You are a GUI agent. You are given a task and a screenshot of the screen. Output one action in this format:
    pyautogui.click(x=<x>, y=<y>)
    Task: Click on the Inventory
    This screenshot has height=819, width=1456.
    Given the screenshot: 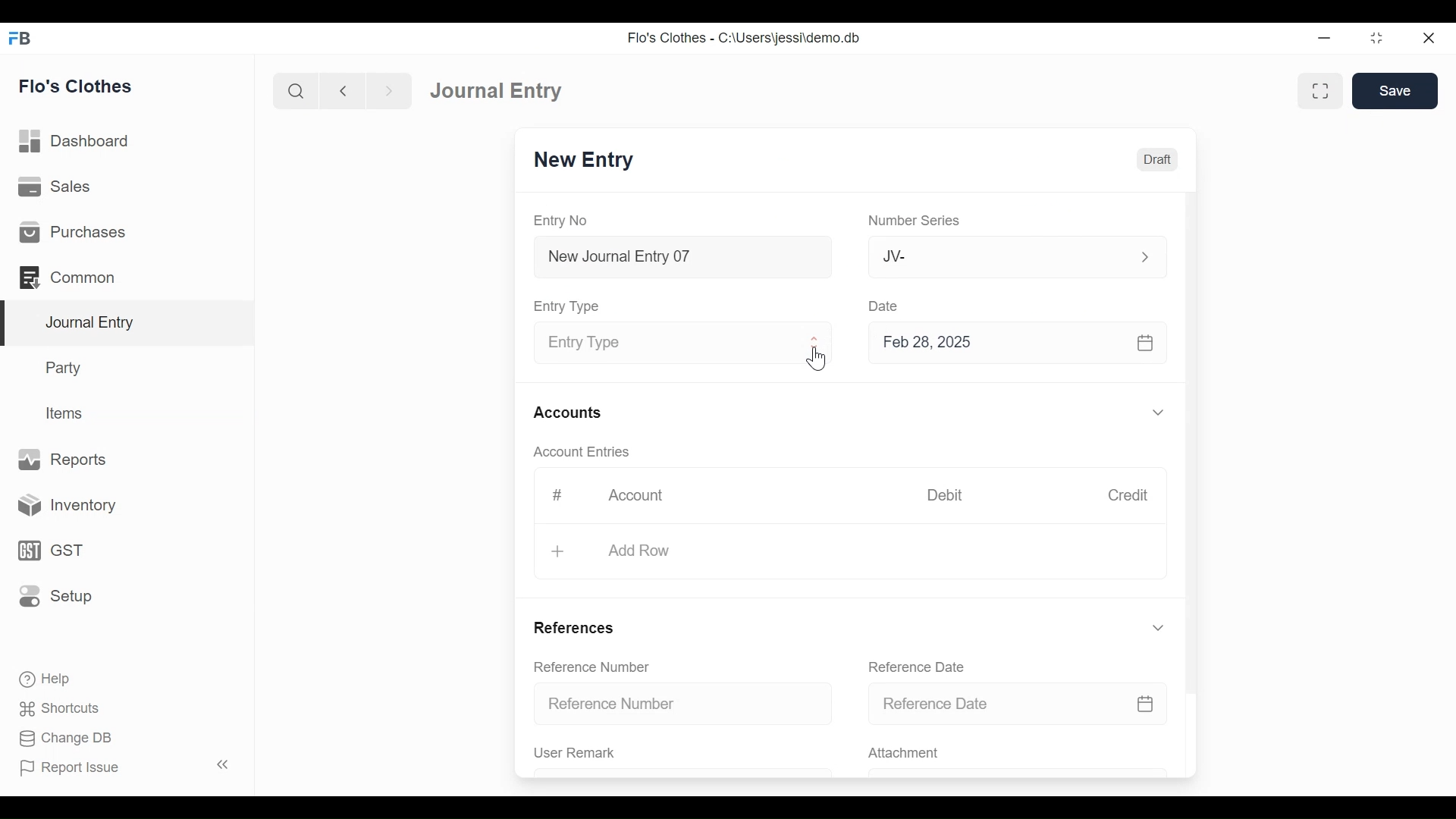 What is the action you would take?
    pyautogui.click(x=61, y=507)
    